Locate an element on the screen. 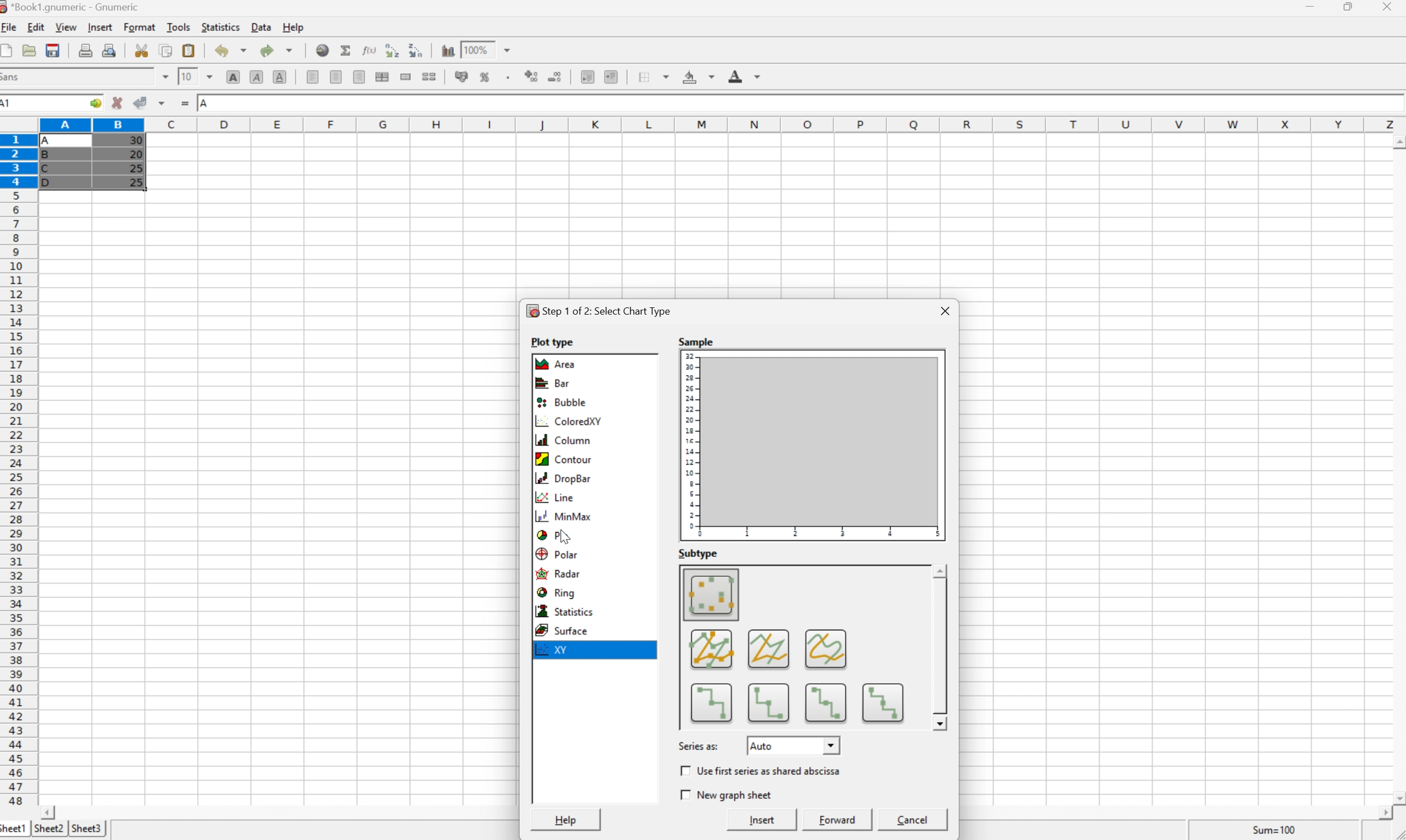 This screenshot has width=1406, height=840. Accept changes in multiple cells is located at coordinates (163, 101).